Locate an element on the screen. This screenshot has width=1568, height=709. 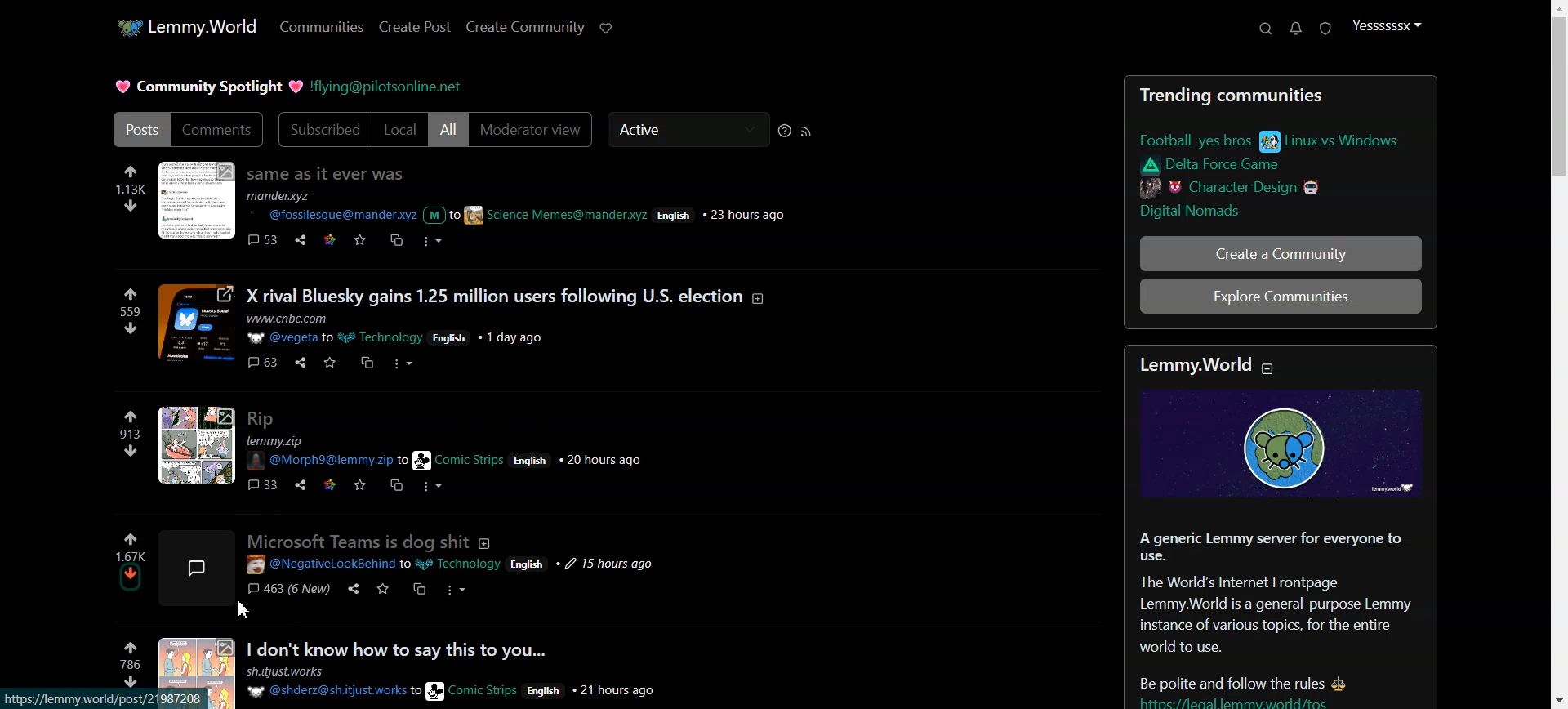
Copy is located at coordinates (418, 590).